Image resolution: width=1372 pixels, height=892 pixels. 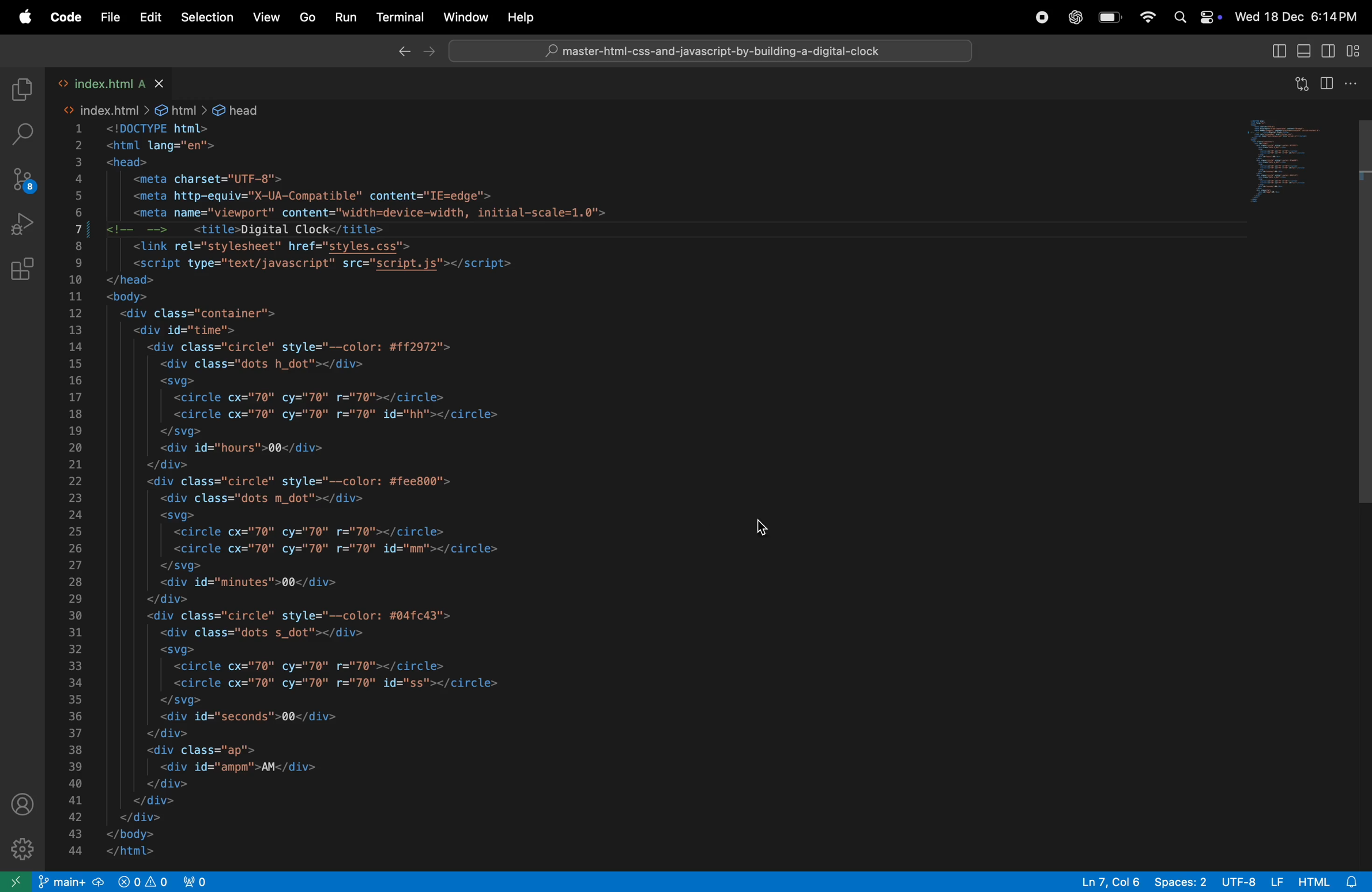 I want to click on code window, so click(x=1296, y=162).